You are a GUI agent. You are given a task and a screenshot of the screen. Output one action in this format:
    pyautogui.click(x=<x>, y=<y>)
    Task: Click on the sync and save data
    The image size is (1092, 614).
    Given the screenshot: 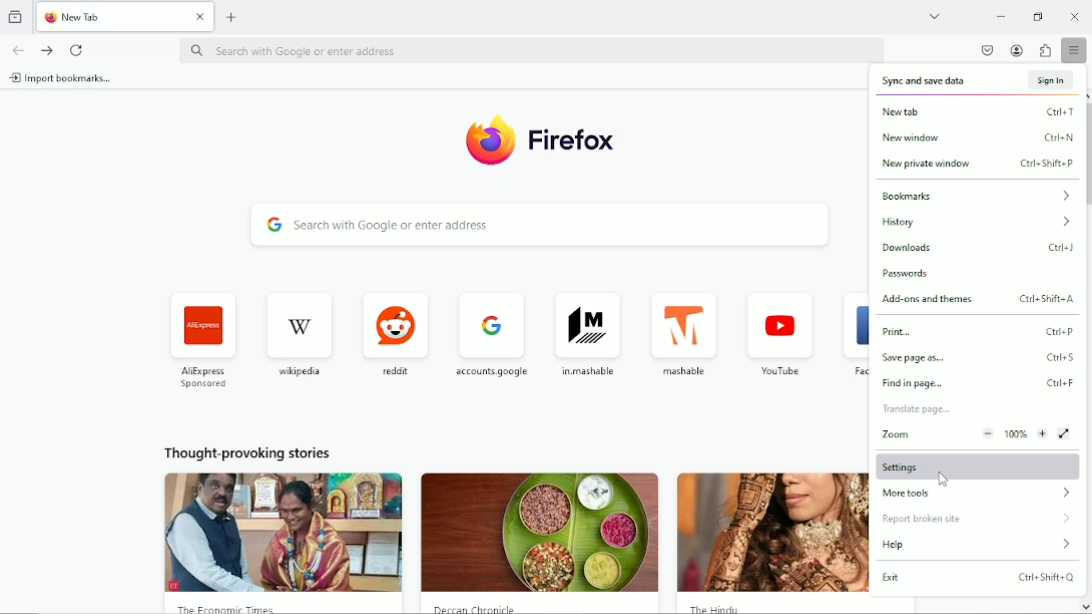 What is the action you would take?
    pyautogui.click(x=932, y=82)
    